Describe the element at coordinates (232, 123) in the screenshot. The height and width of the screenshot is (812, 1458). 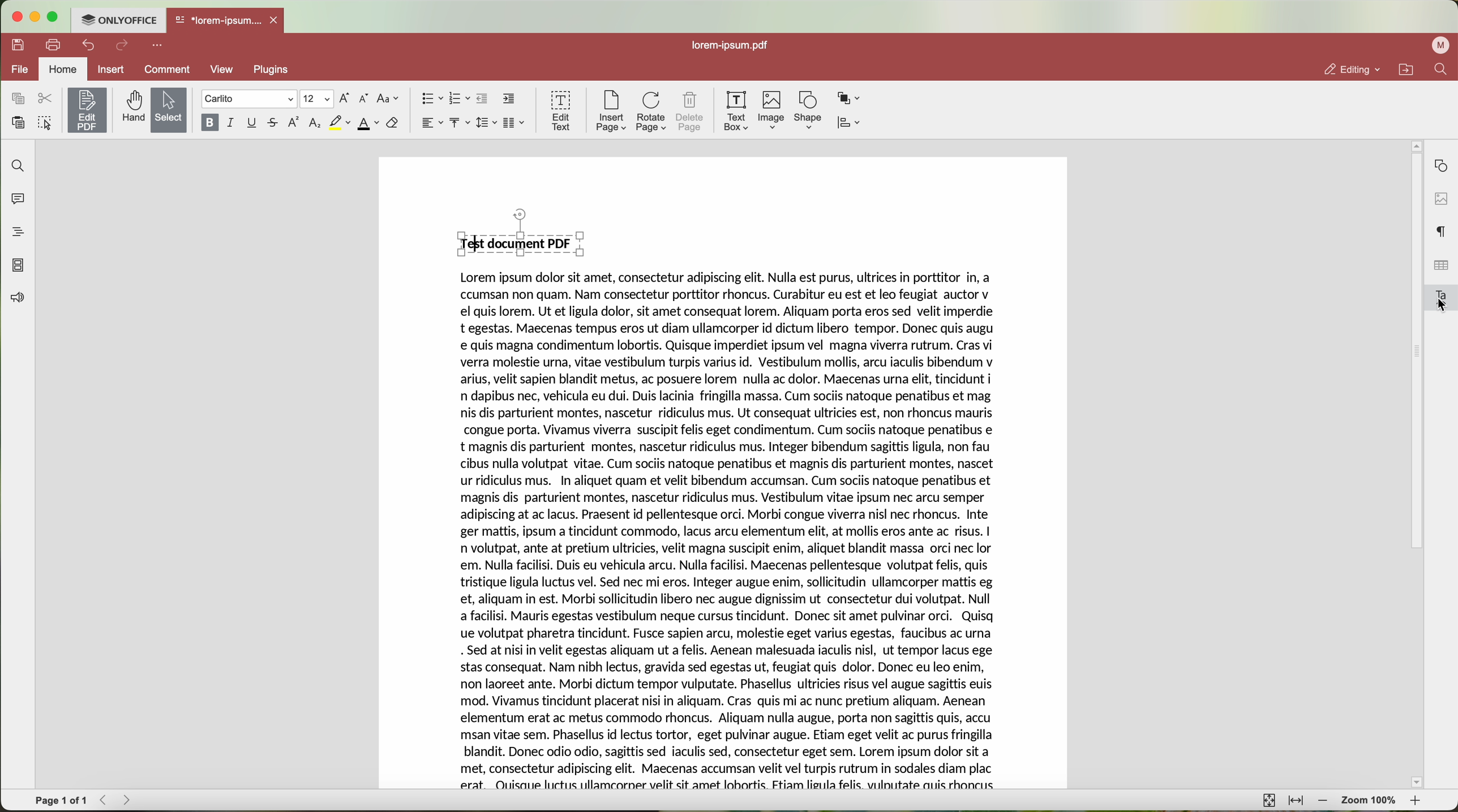
I see `italic` at that location.